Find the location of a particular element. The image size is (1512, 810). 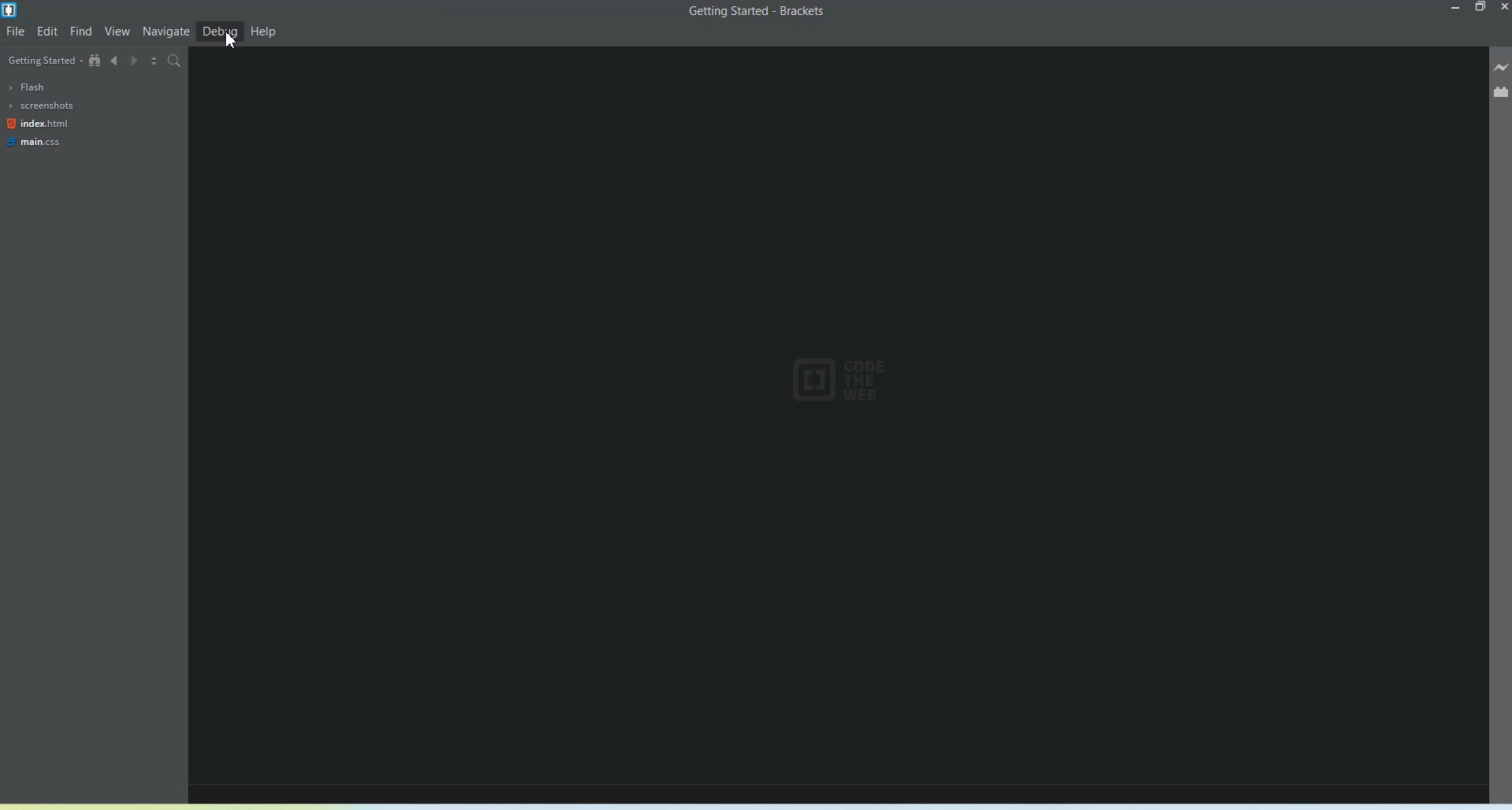

cursor is located at coordinates (230, 43).